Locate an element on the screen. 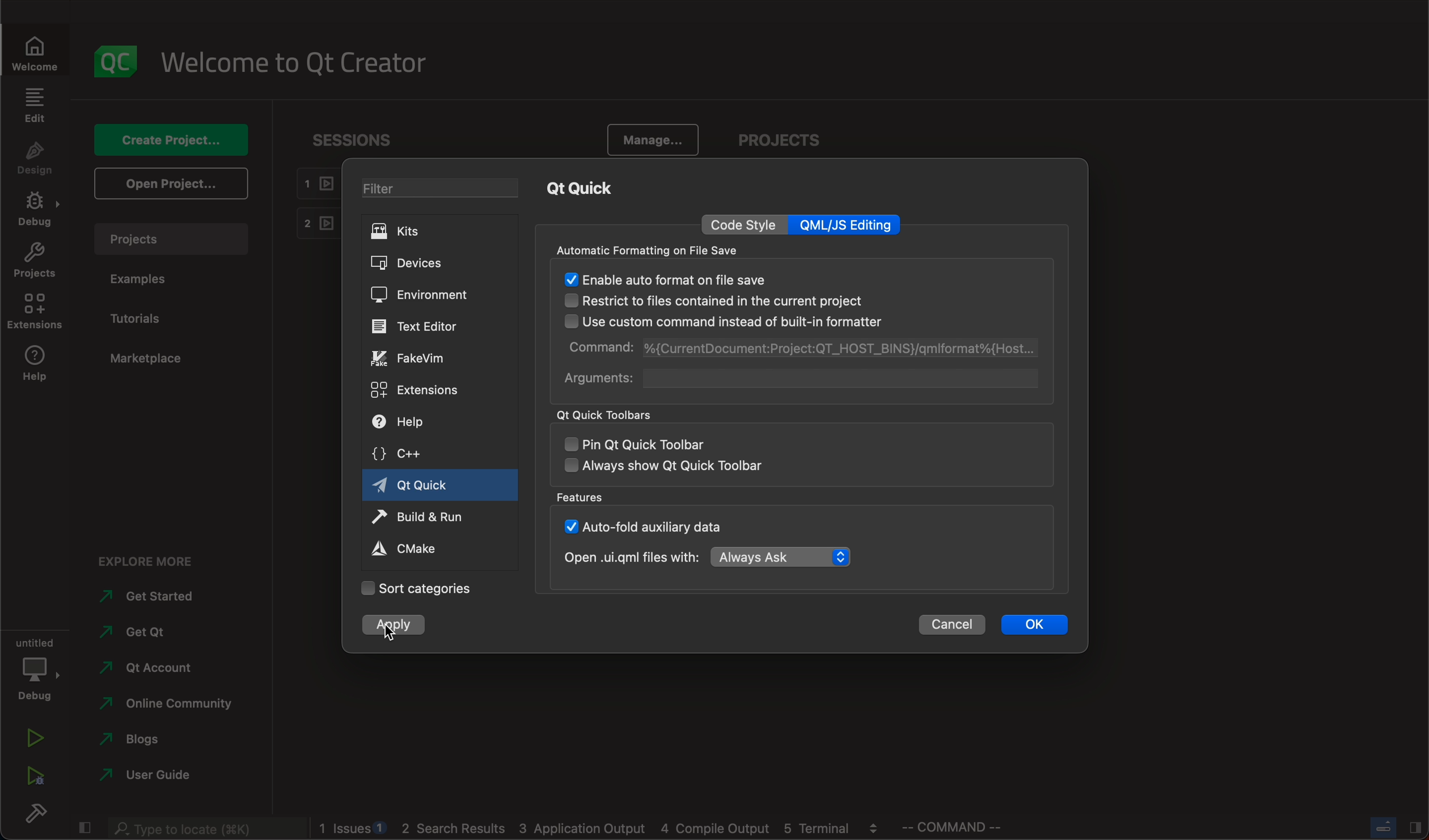  close slide bar is located at coordinates (1393, 826).